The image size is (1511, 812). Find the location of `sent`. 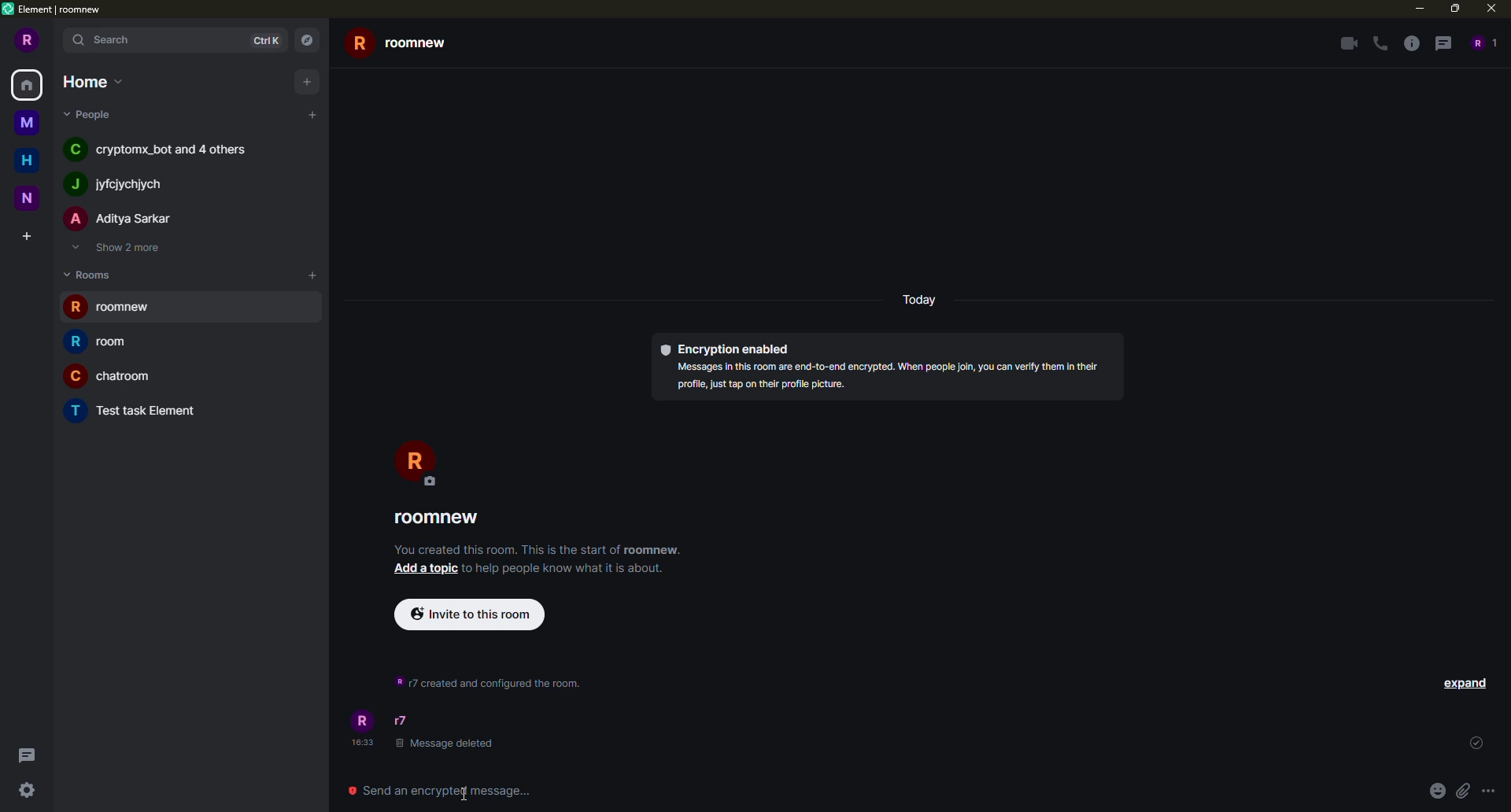

sent is located at coordinates (1474, 744).